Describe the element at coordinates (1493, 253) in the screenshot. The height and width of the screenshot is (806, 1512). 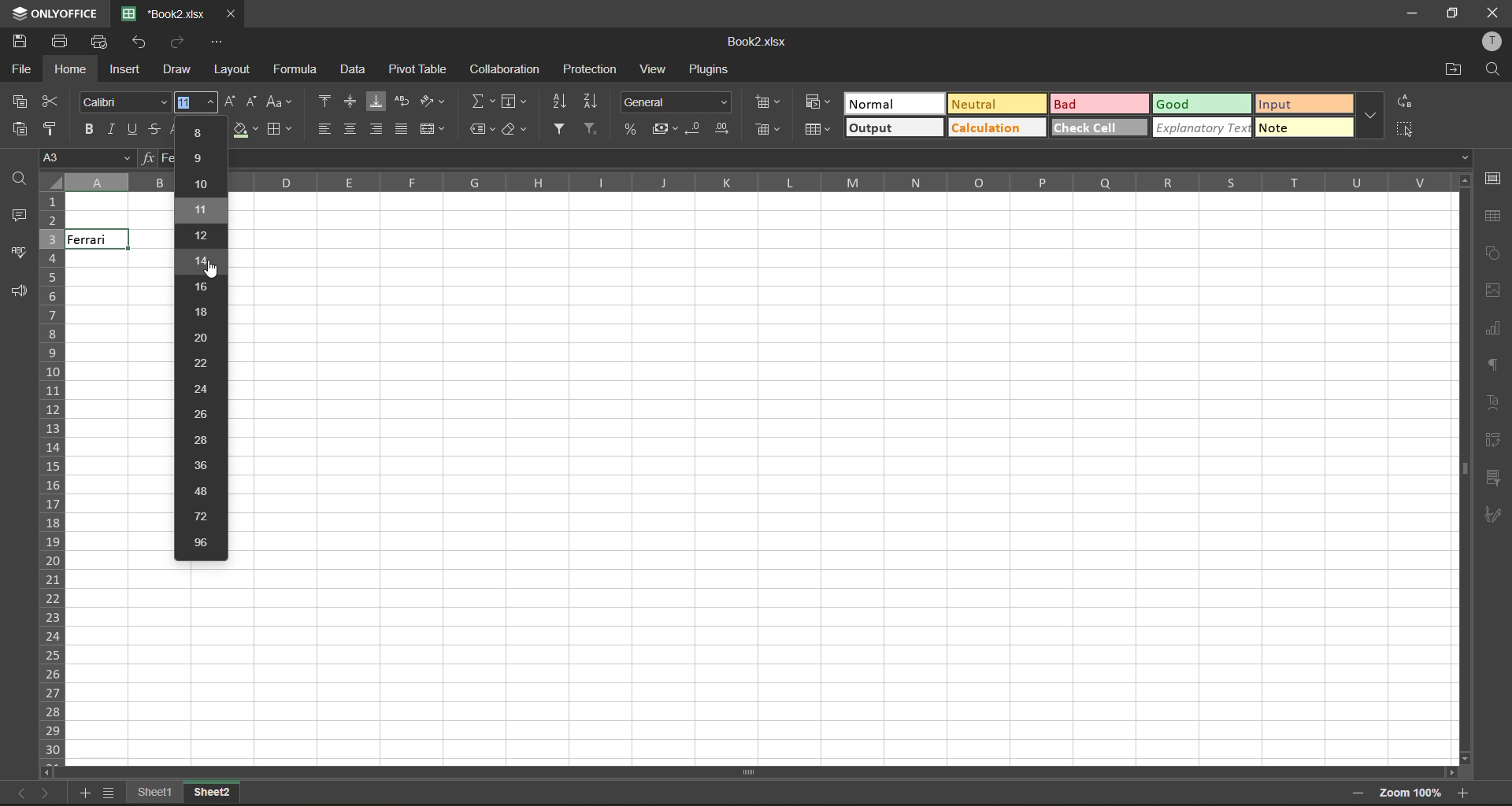
I see `shapes` at that location.